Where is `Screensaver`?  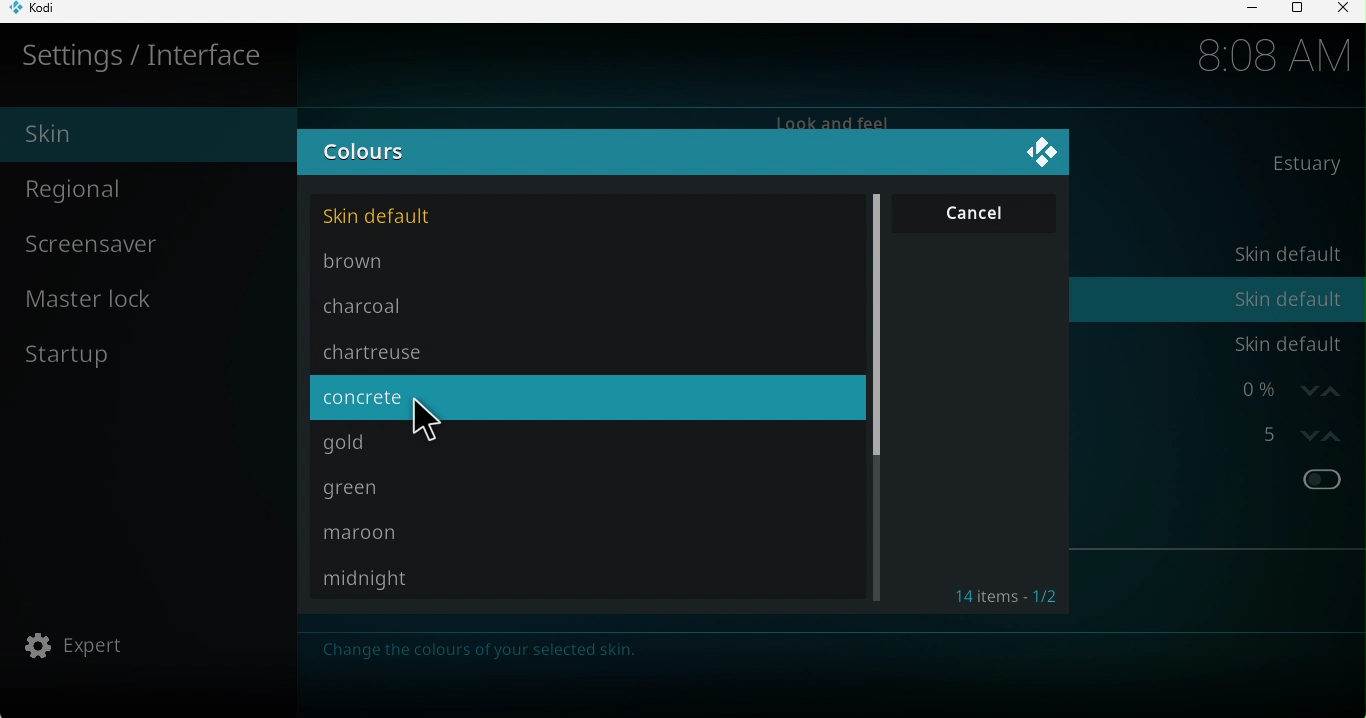 Screensaver is located at coordinates (104, 244).